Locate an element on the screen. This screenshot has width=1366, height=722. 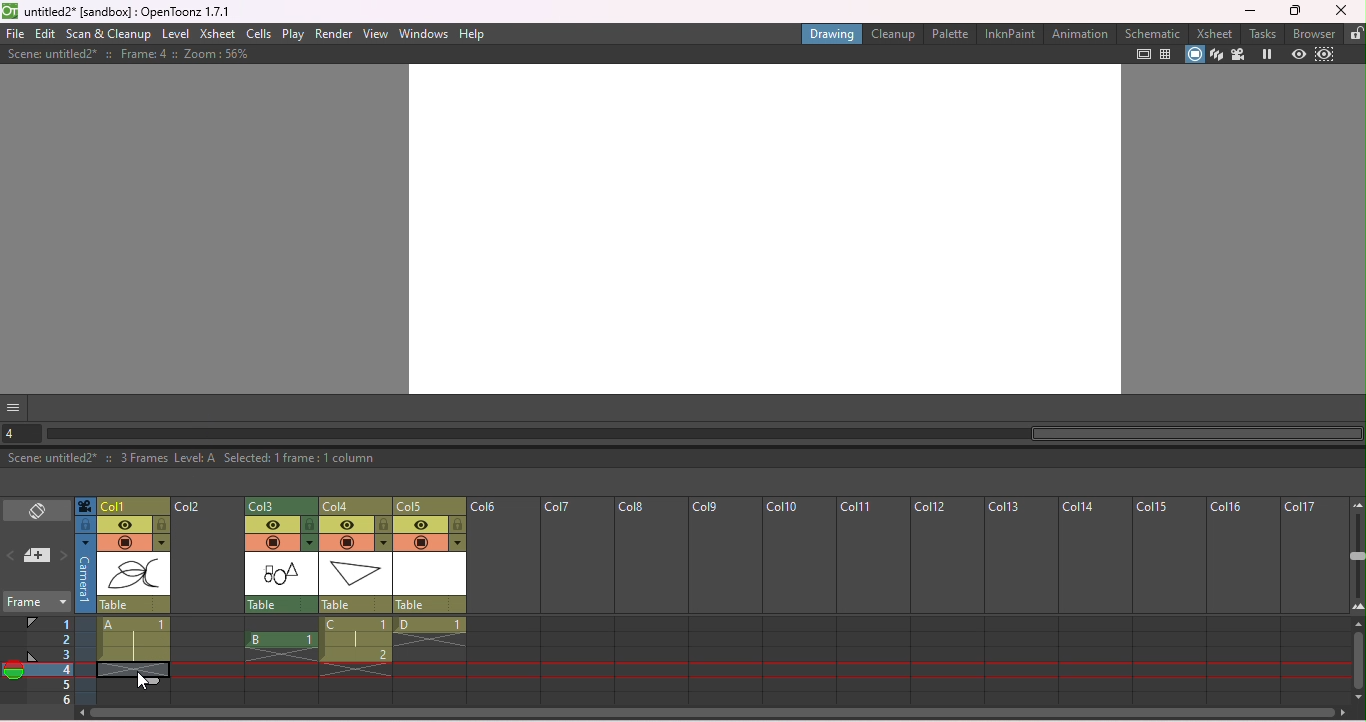
Horizontal scroll bar is located at coordinates (717, 715).